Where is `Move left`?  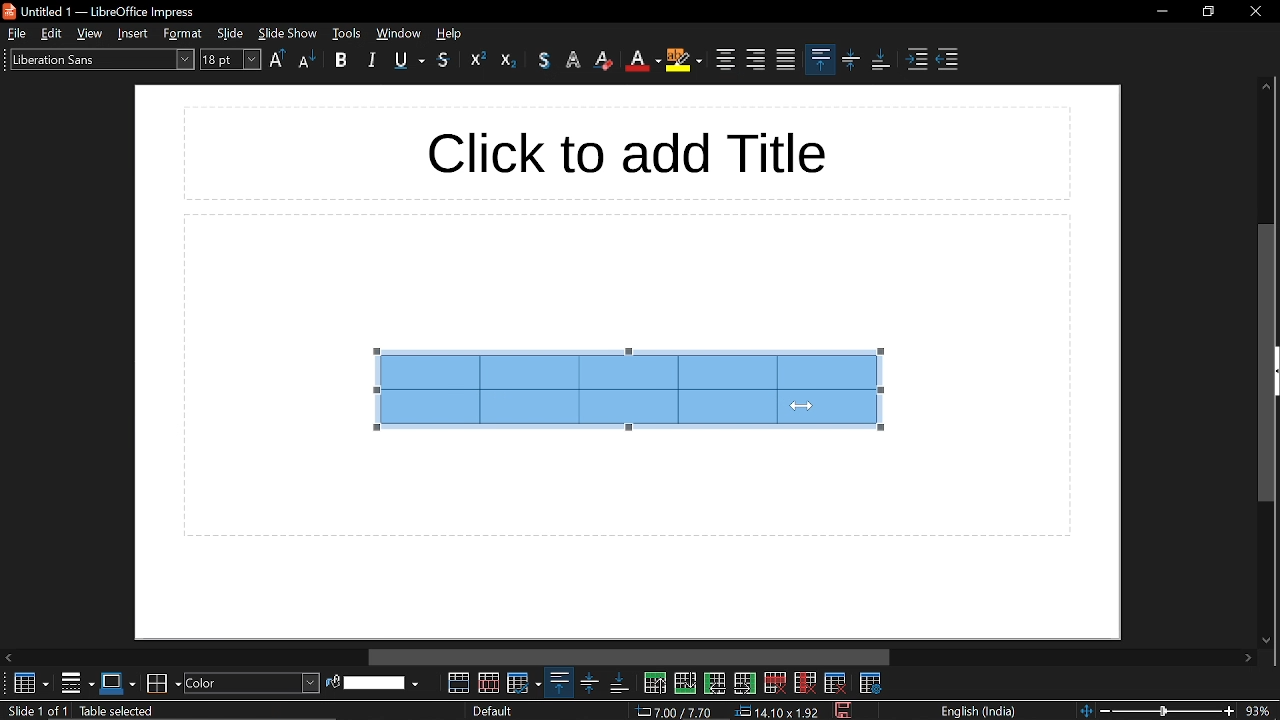
Move left is located at coordinates (10, 657).